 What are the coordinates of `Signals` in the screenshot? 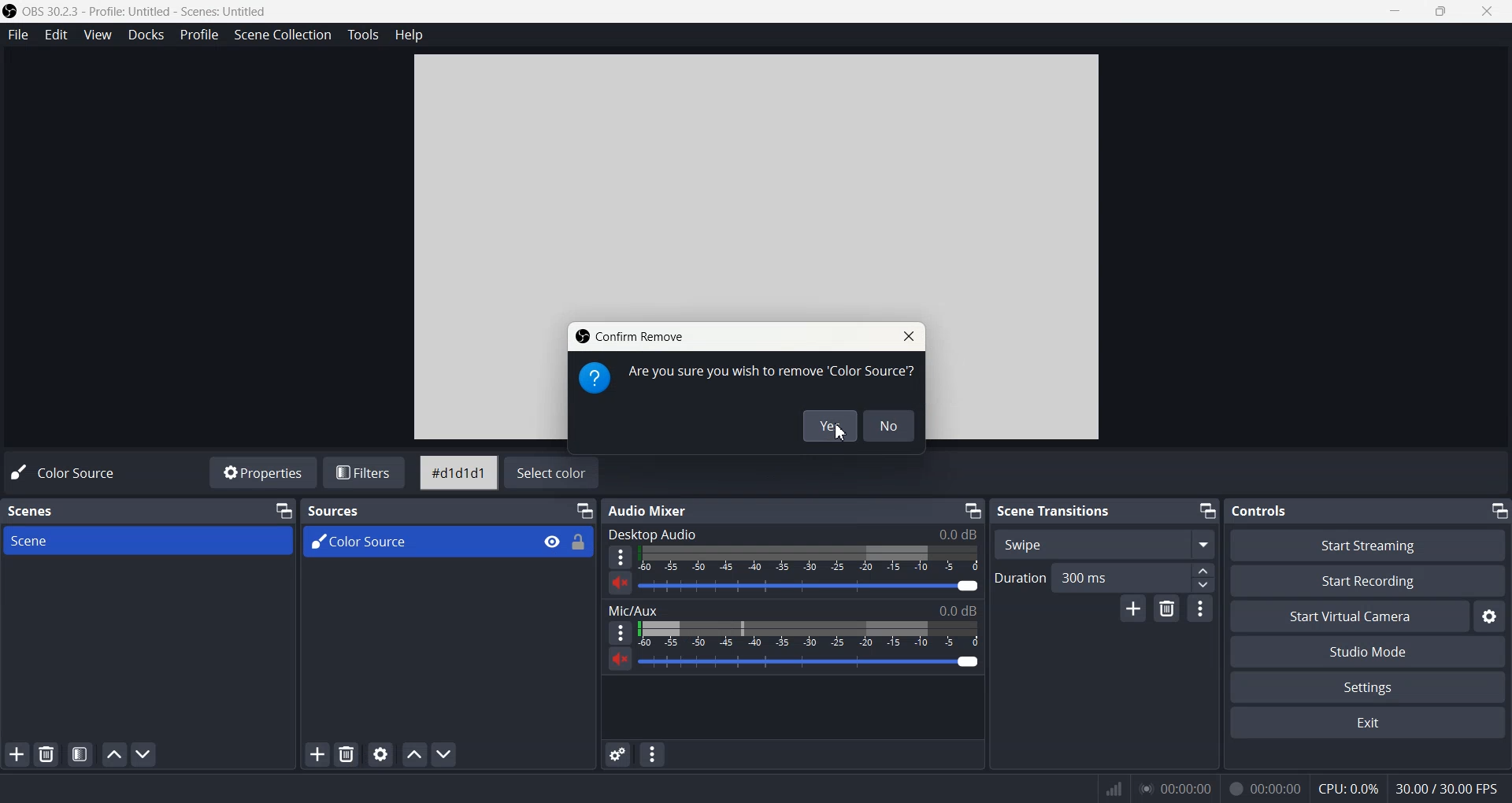 It's located at (1107, 787).